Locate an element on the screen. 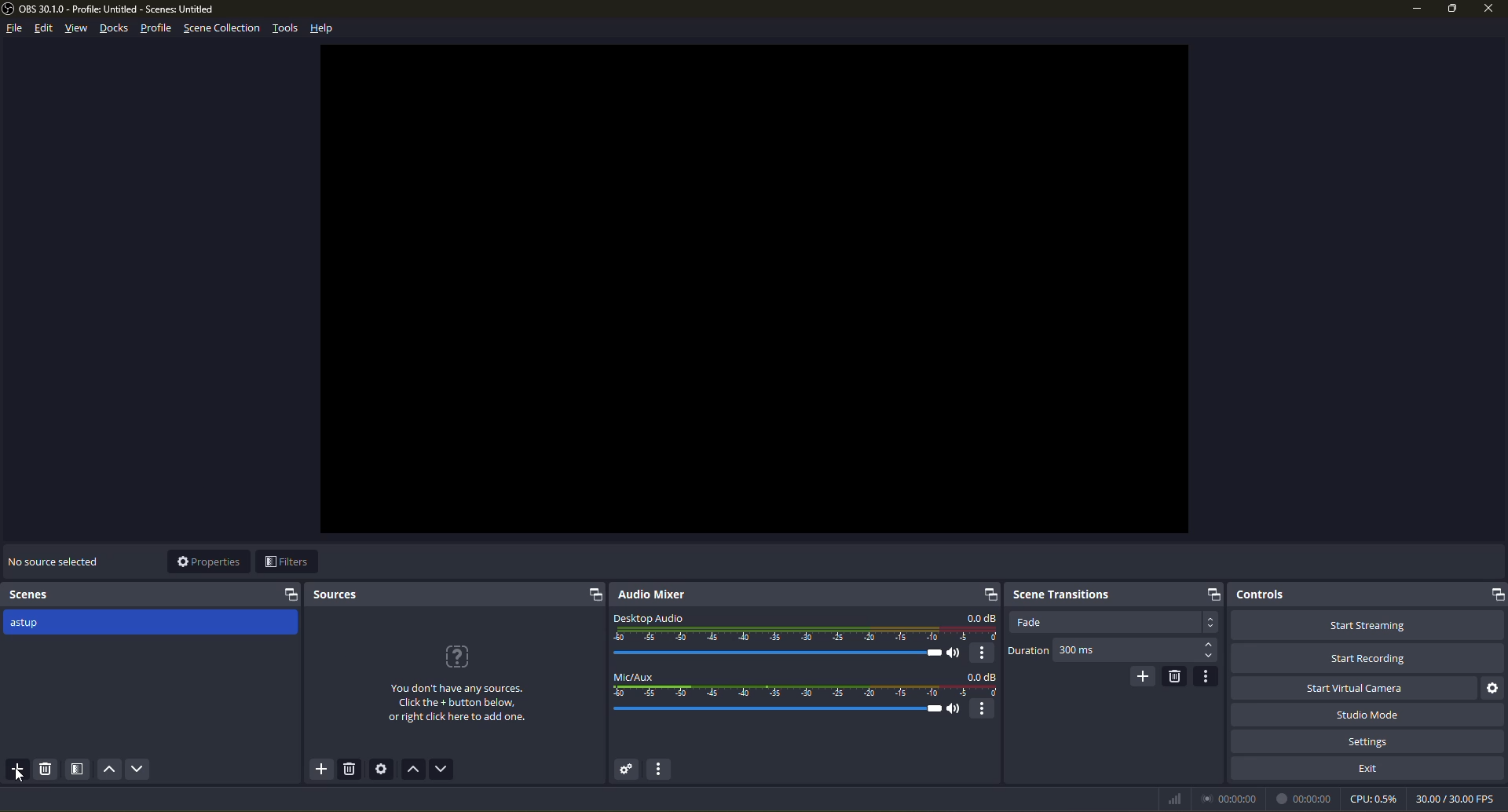 Image resolution: width=1508 pixels, height=812 pixels. mic level is located at coordinates (807, 691).